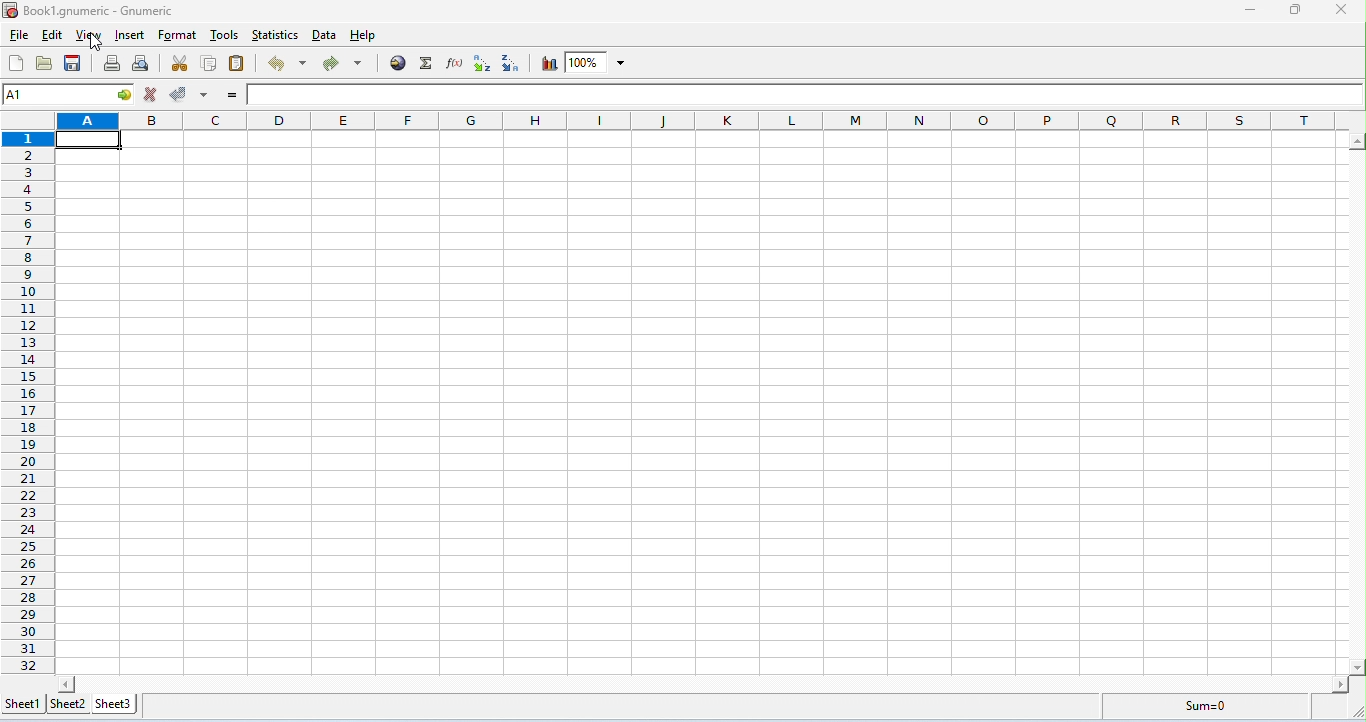  What do you see at coordinates (45, 63) in the screenshot?
I see `open` at bounding box center [45, 63].